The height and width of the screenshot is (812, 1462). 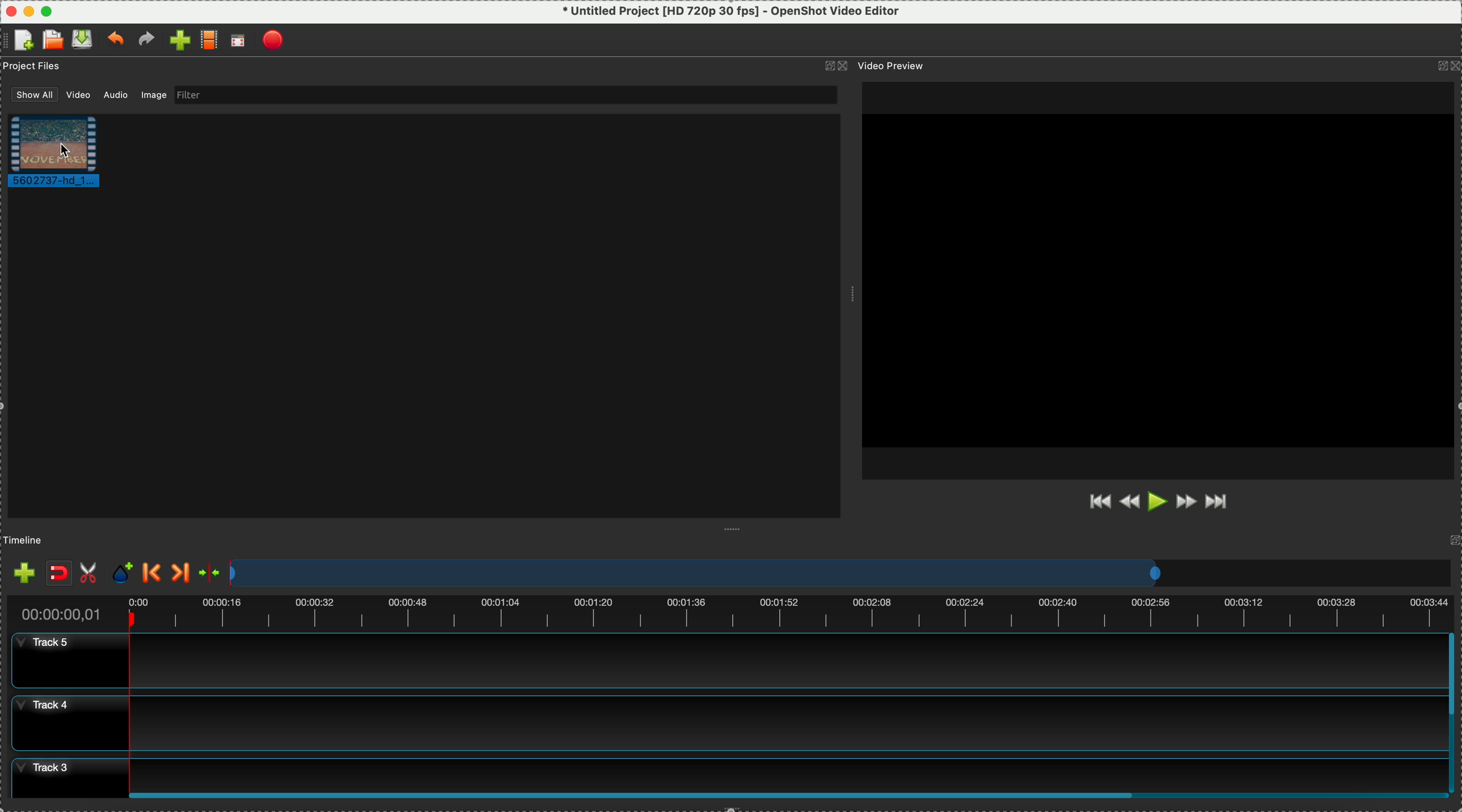 What do you see at coordinates (722, 723) in the screenshot?
I see `track 4` at bounding box center [722, 723].